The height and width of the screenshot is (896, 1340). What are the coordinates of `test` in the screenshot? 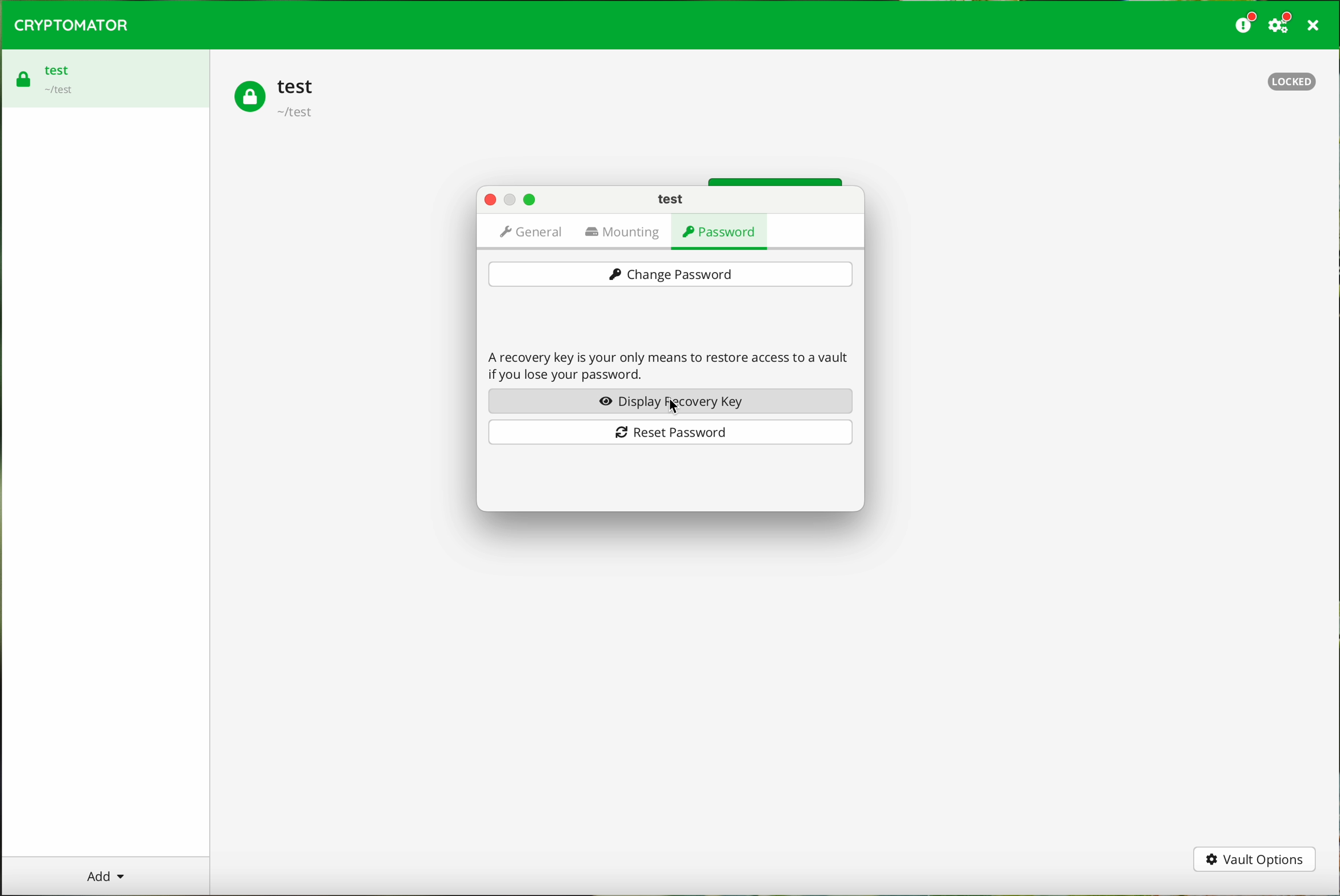 It's located at (671, 199).